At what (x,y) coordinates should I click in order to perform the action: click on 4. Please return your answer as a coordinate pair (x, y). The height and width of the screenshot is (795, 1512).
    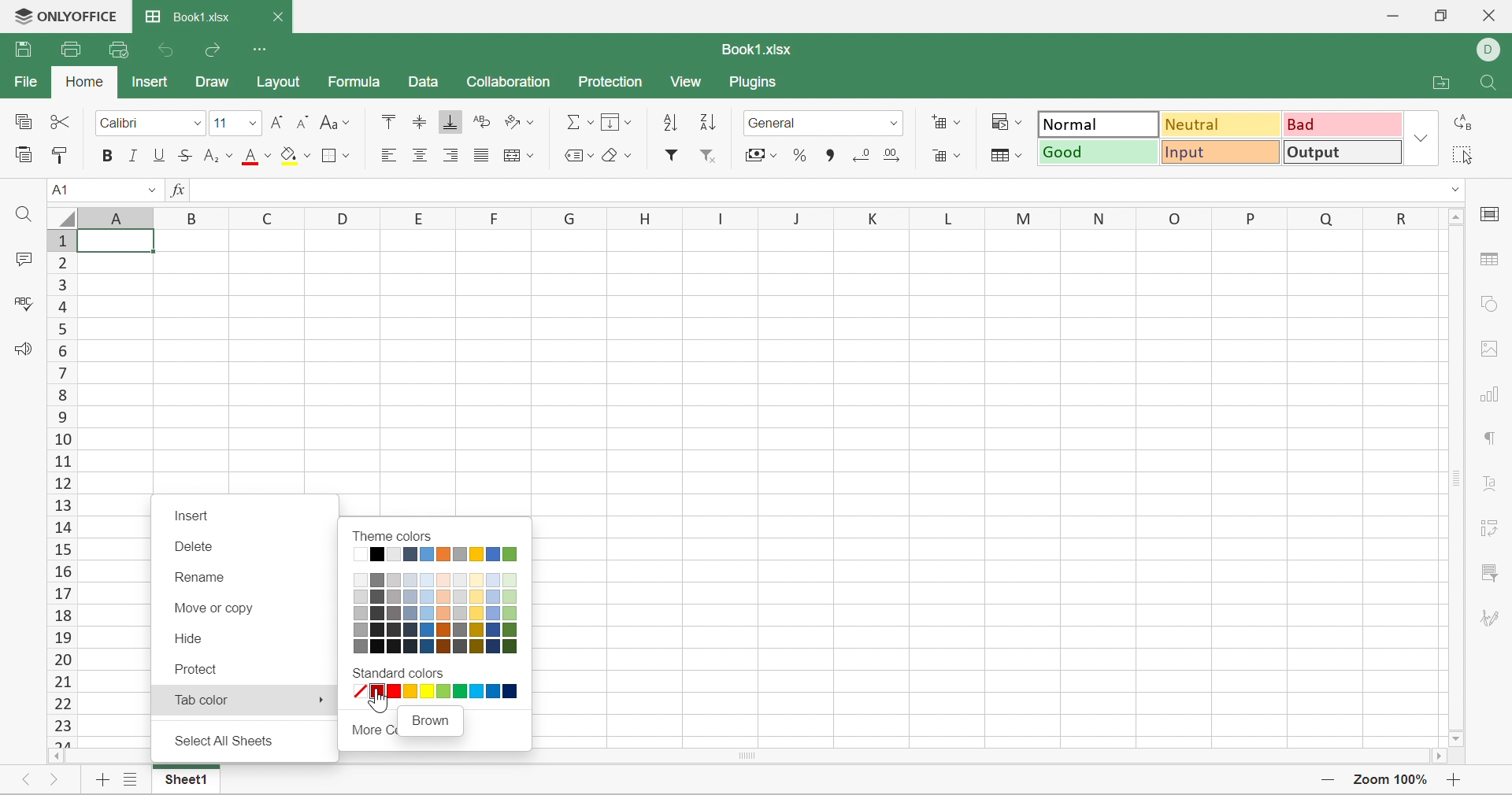
    Looking at the image, I should click on (63, 306).